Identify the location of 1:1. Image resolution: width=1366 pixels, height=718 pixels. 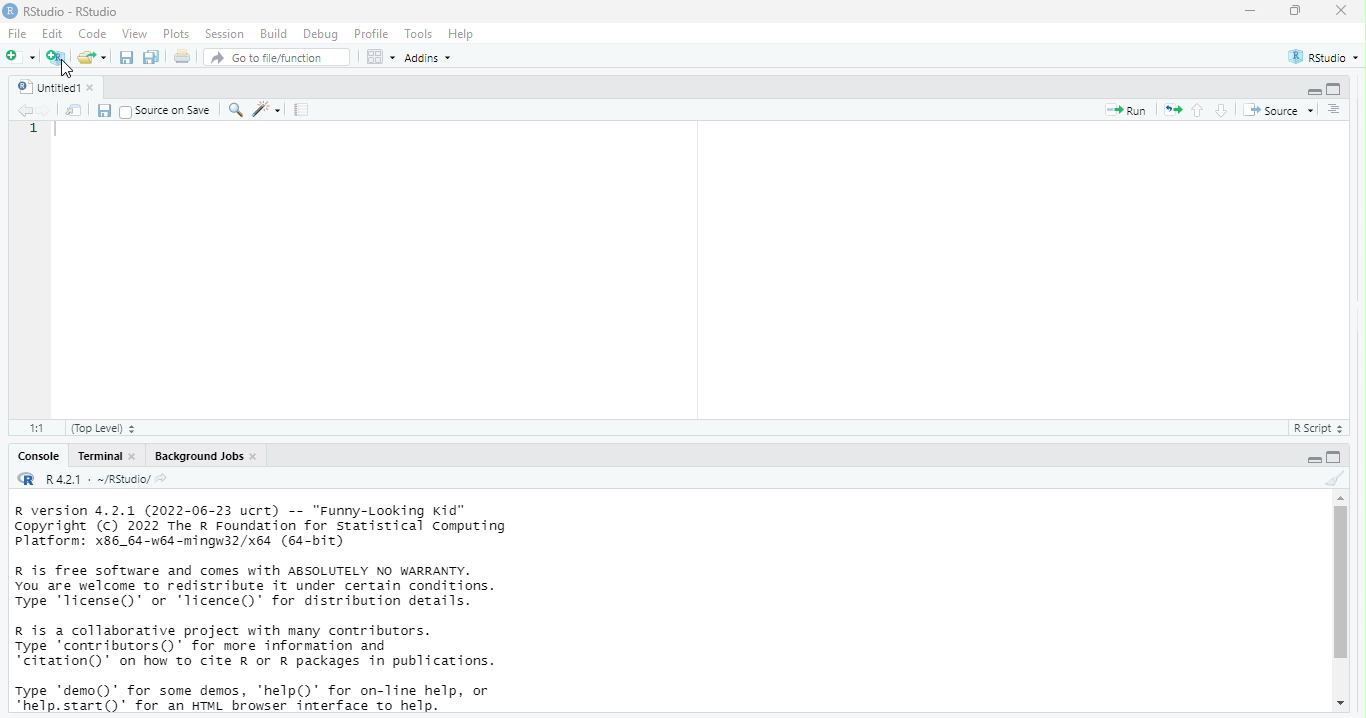
(30, 426).